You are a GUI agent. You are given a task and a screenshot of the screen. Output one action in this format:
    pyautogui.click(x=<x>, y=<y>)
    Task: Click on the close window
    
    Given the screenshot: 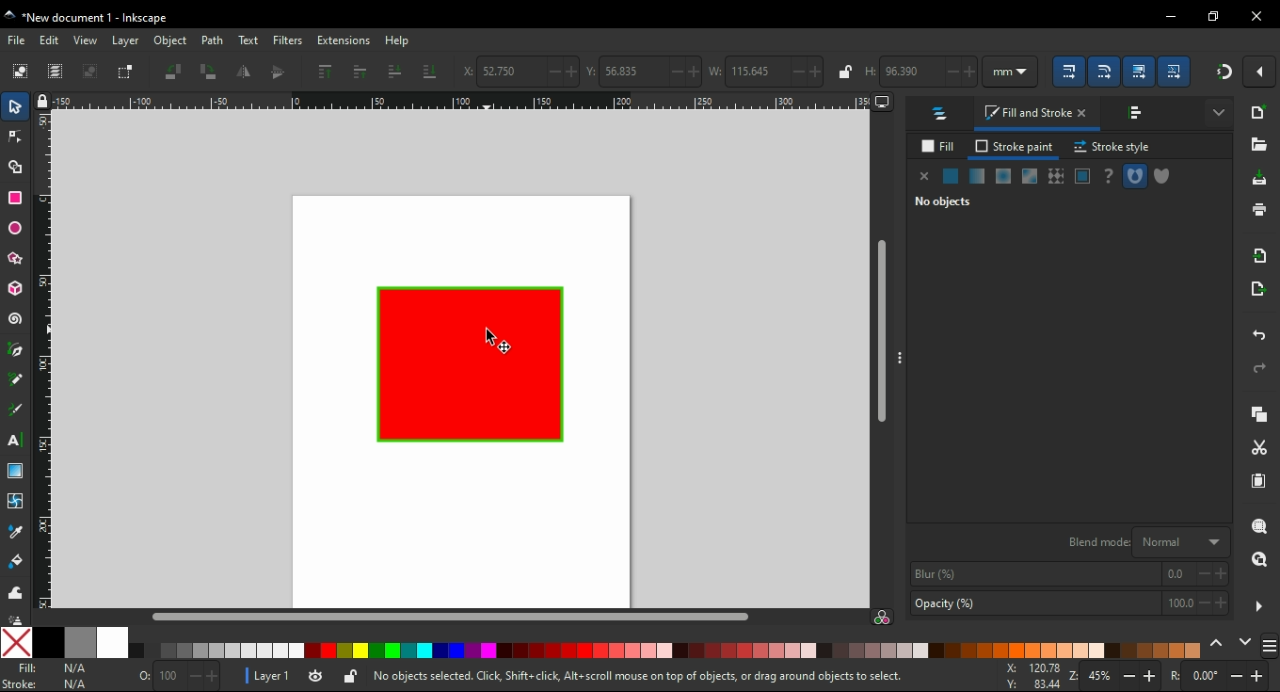 What is the action you would take?
    pyautogui.click(x=1257, y=16)
    